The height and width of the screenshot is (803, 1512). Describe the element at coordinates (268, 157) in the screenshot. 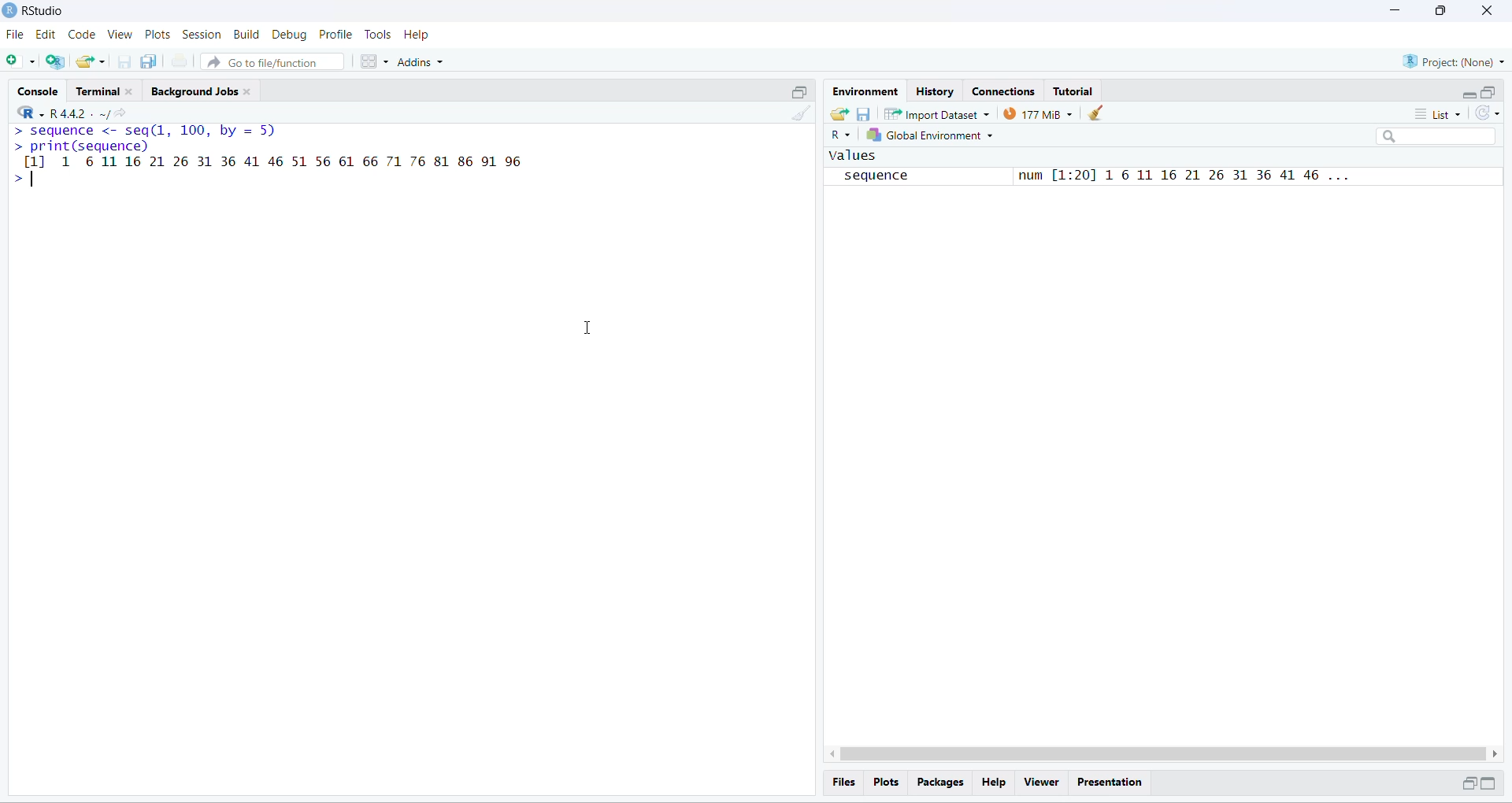

I see `> sequence <- seq(l, 100, by = 5)> print(sequence)[1] 1 611 16 21 26 31 36 41 46 51 56 61 66 71 76 81 86 91 96>` at that location.